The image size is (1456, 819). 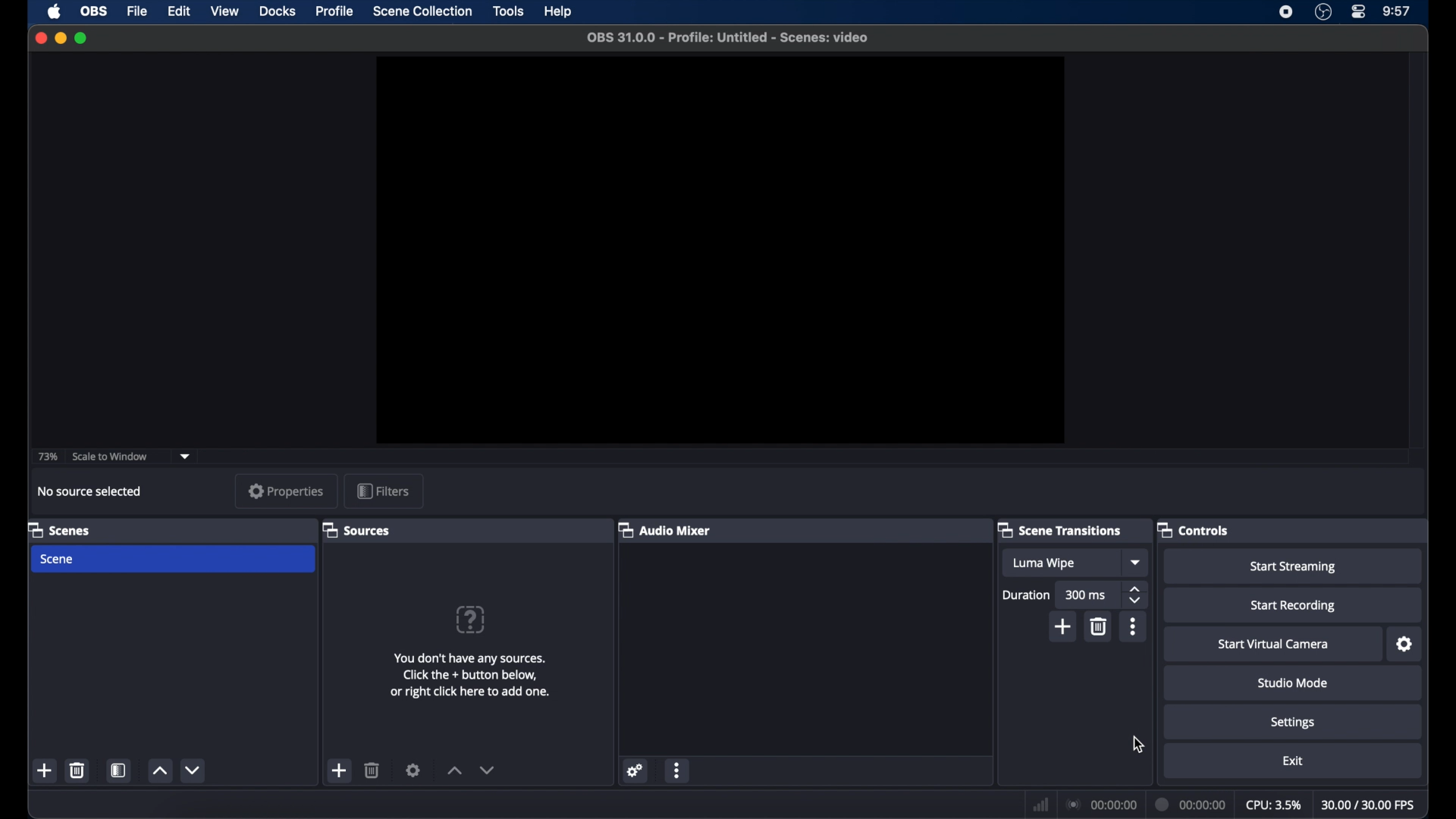 I want to click on apple icon, so click(x=56, y=11).